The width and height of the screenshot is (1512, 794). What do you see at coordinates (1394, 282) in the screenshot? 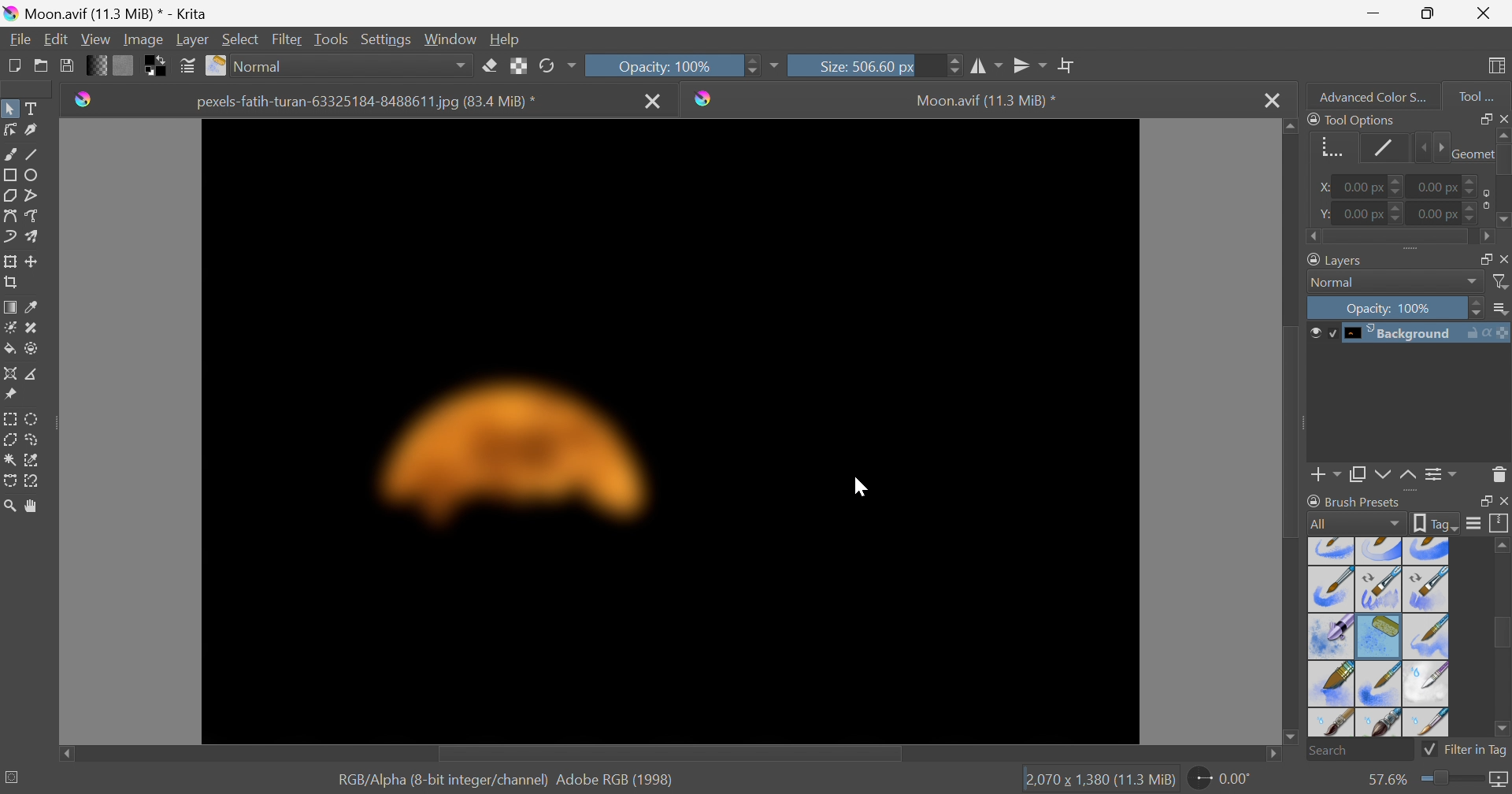
I see `Normal` at bounding box center [1394, 282].